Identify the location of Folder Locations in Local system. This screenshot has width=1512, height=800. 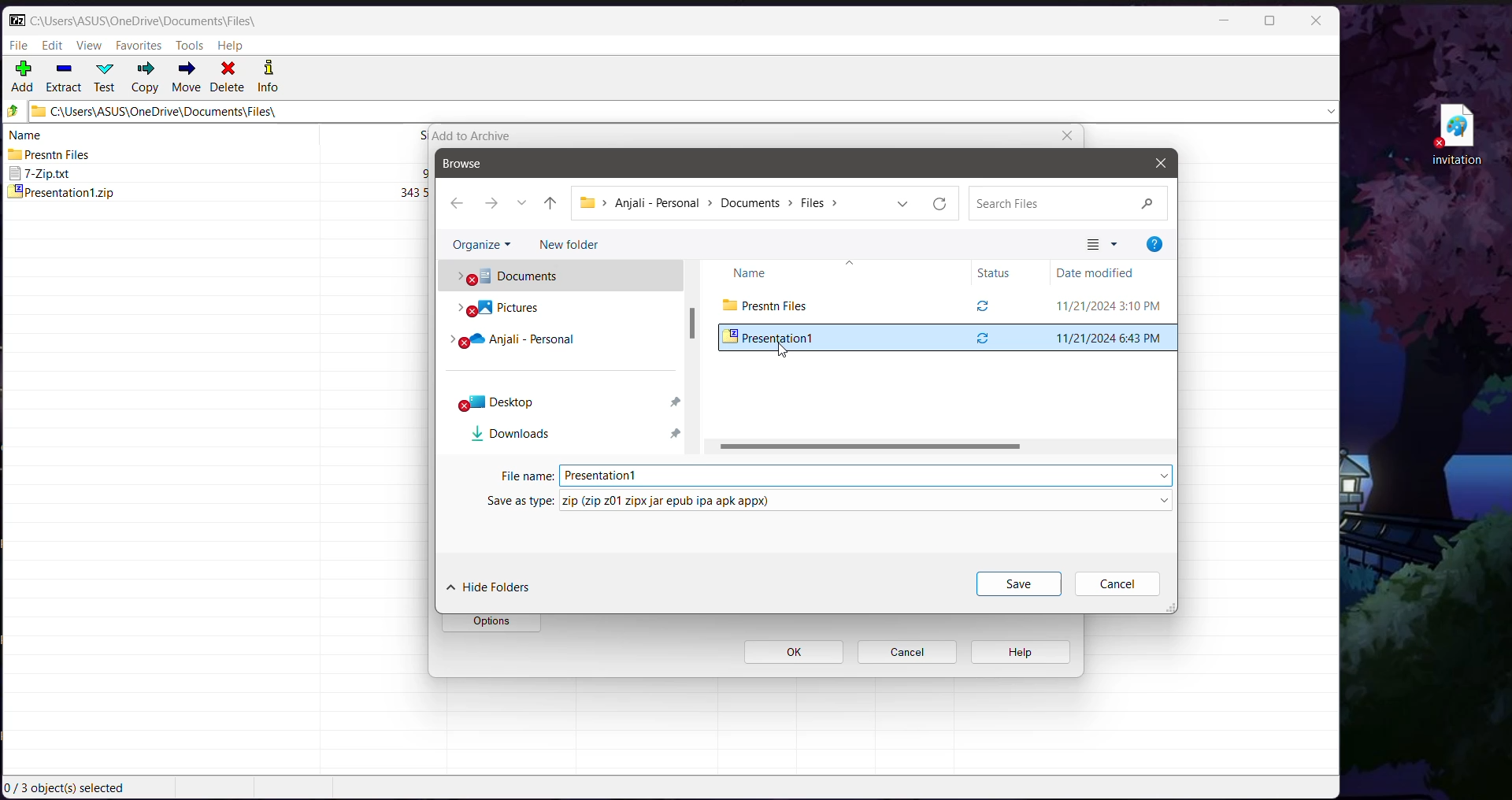
(560, 357).